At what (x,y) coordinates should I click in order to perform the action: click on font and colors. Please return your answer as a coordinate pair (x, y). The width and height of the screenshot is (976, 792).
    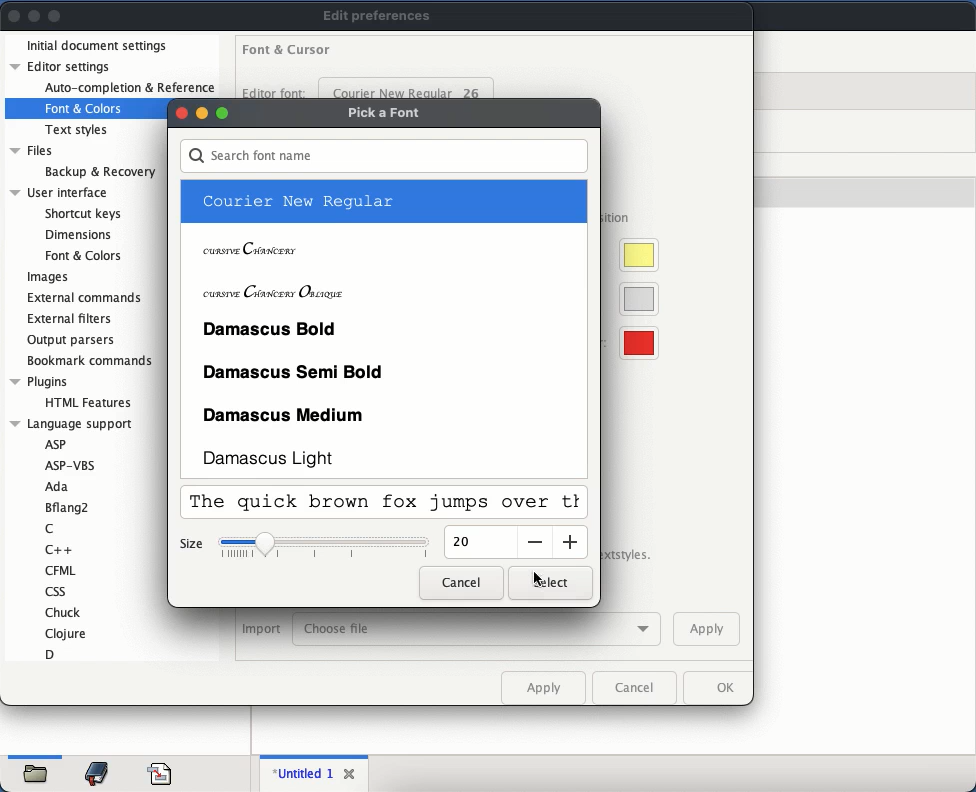
    Looking at the image, I should click on (85, 106).